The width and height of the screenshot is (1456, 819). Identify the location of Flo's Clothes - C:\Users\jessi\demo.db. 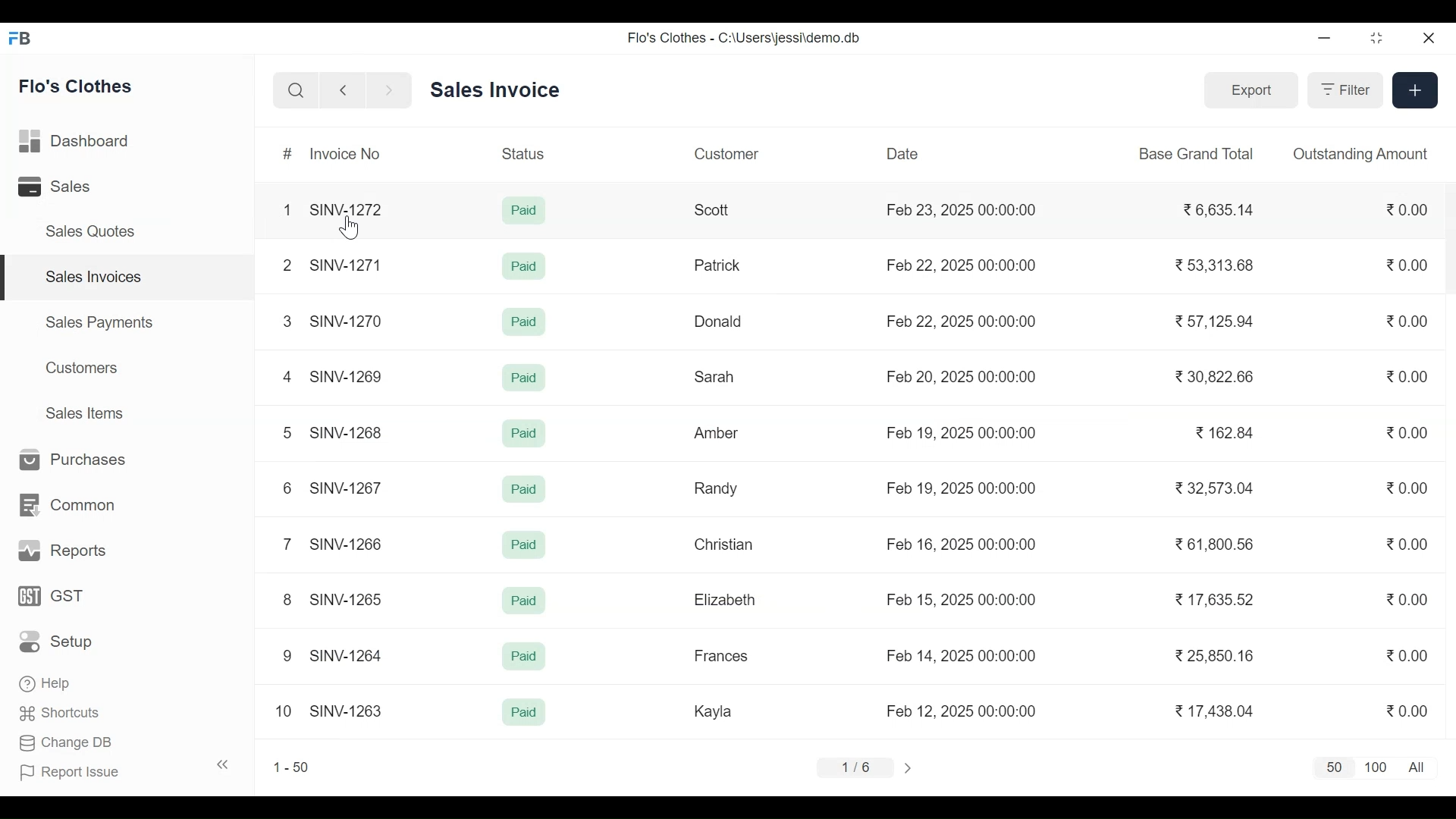
(744, 36).